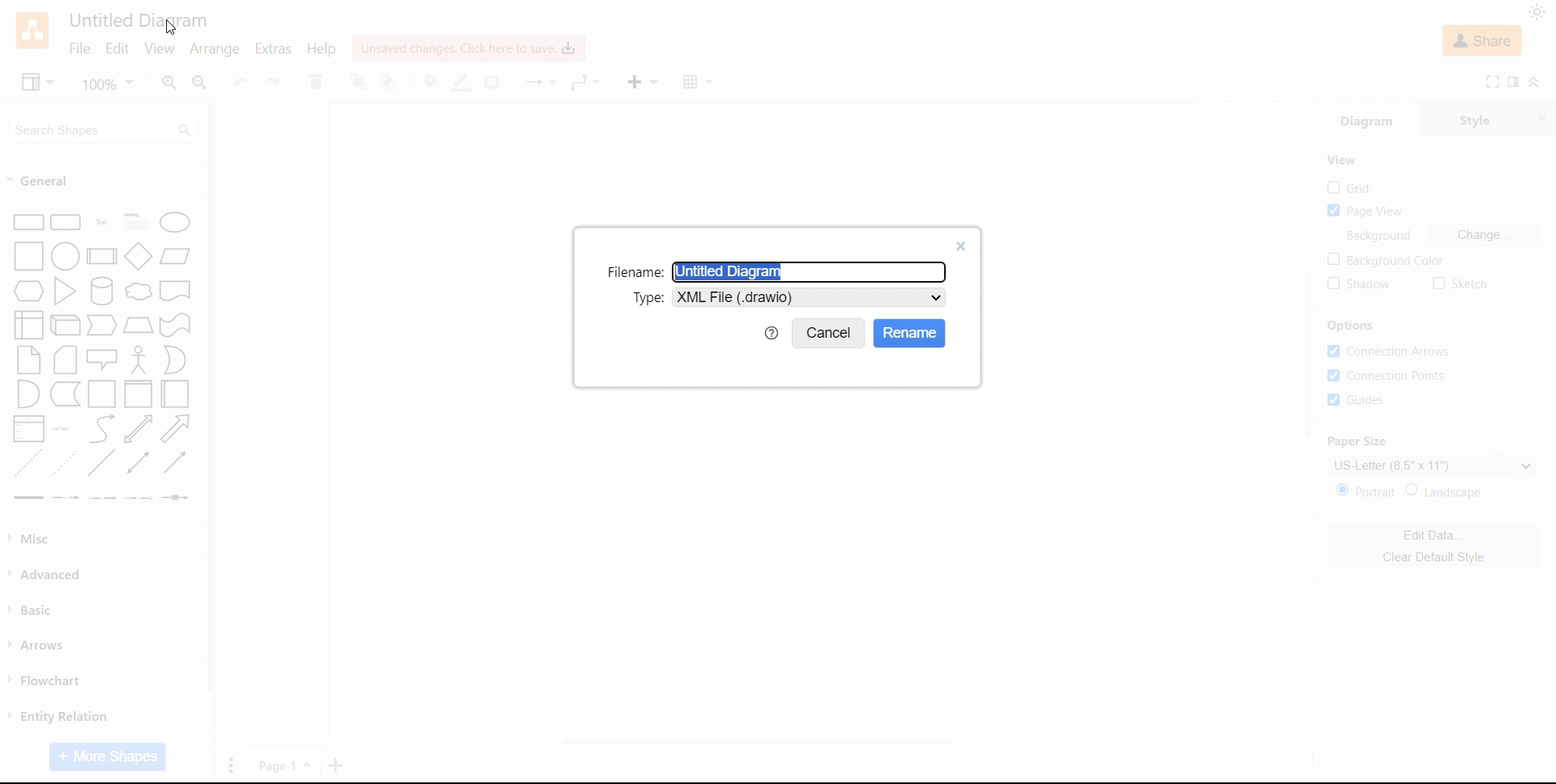 The image size is (1556, 784). What do you see at coordinates (1368, 491) in the screenshot?
I see `Portrait ` at bounding box center [1368, 491].